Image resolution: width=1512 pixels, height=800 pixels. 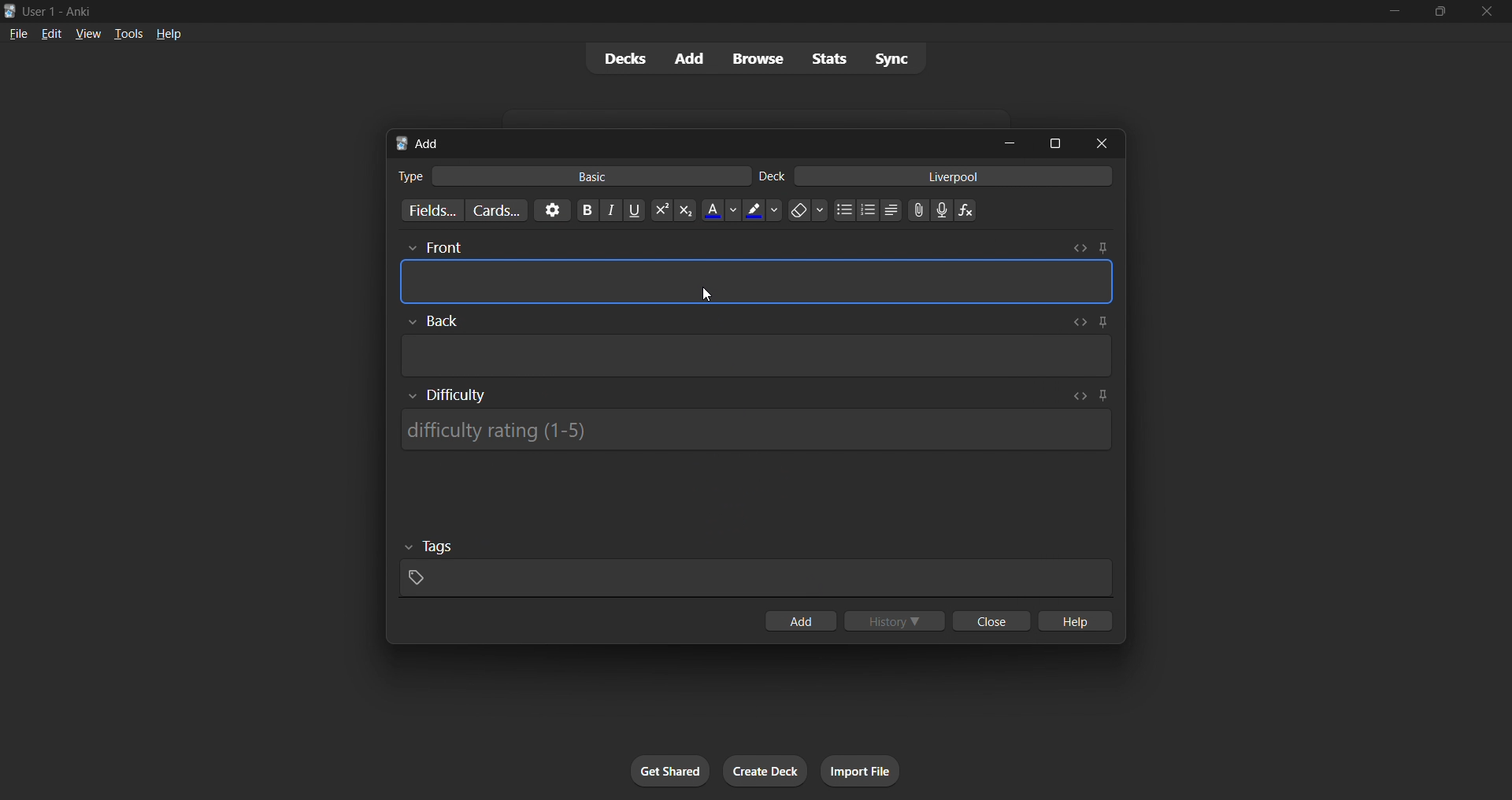 I want to click on help, so click(x=169, y=34).